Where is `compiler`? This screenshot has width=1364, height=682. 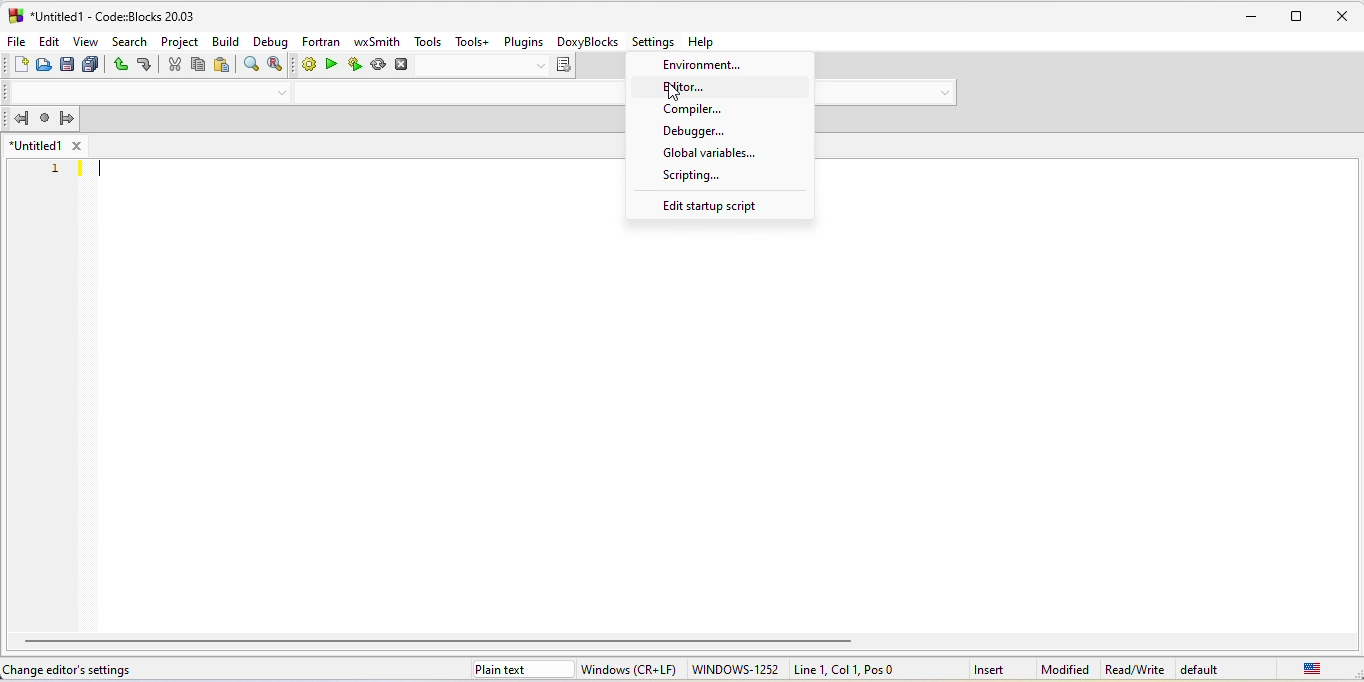
compiler is located at coordinates (697, 110).